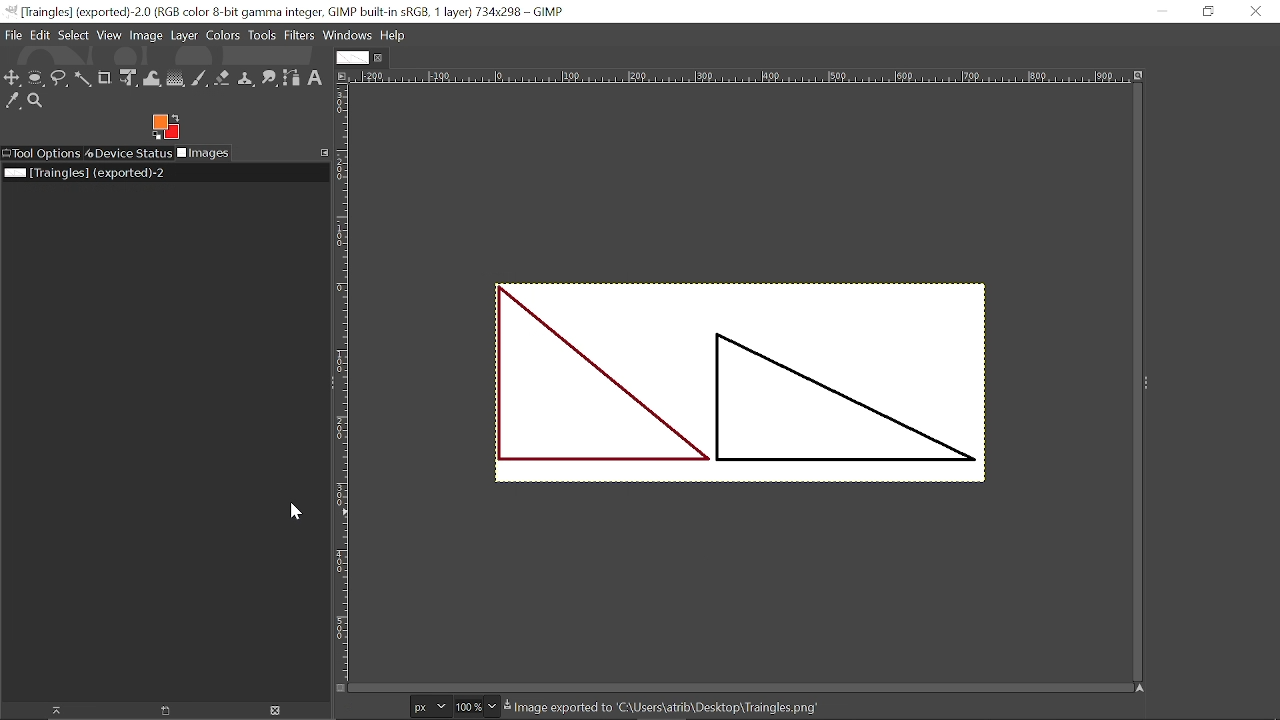  I want to click on Help, so click(393, 35).